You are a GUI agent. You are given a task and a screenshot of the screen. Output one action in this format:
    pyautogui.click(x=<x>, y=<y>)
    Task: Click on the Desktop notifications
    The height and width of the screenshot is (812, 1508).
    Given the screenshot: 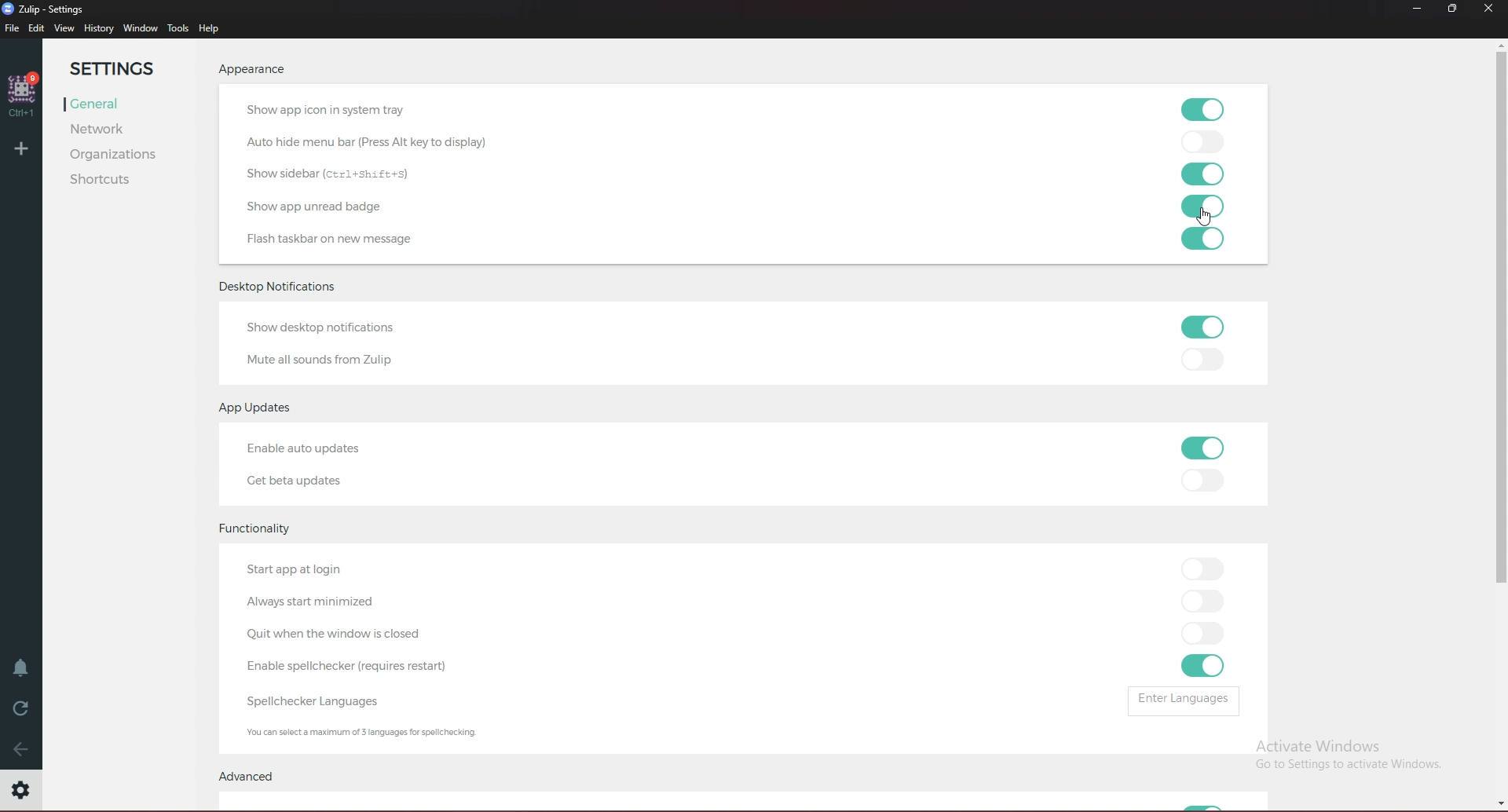 What is the action you would take?
    pyautogui.click(x=280, y=289)
    